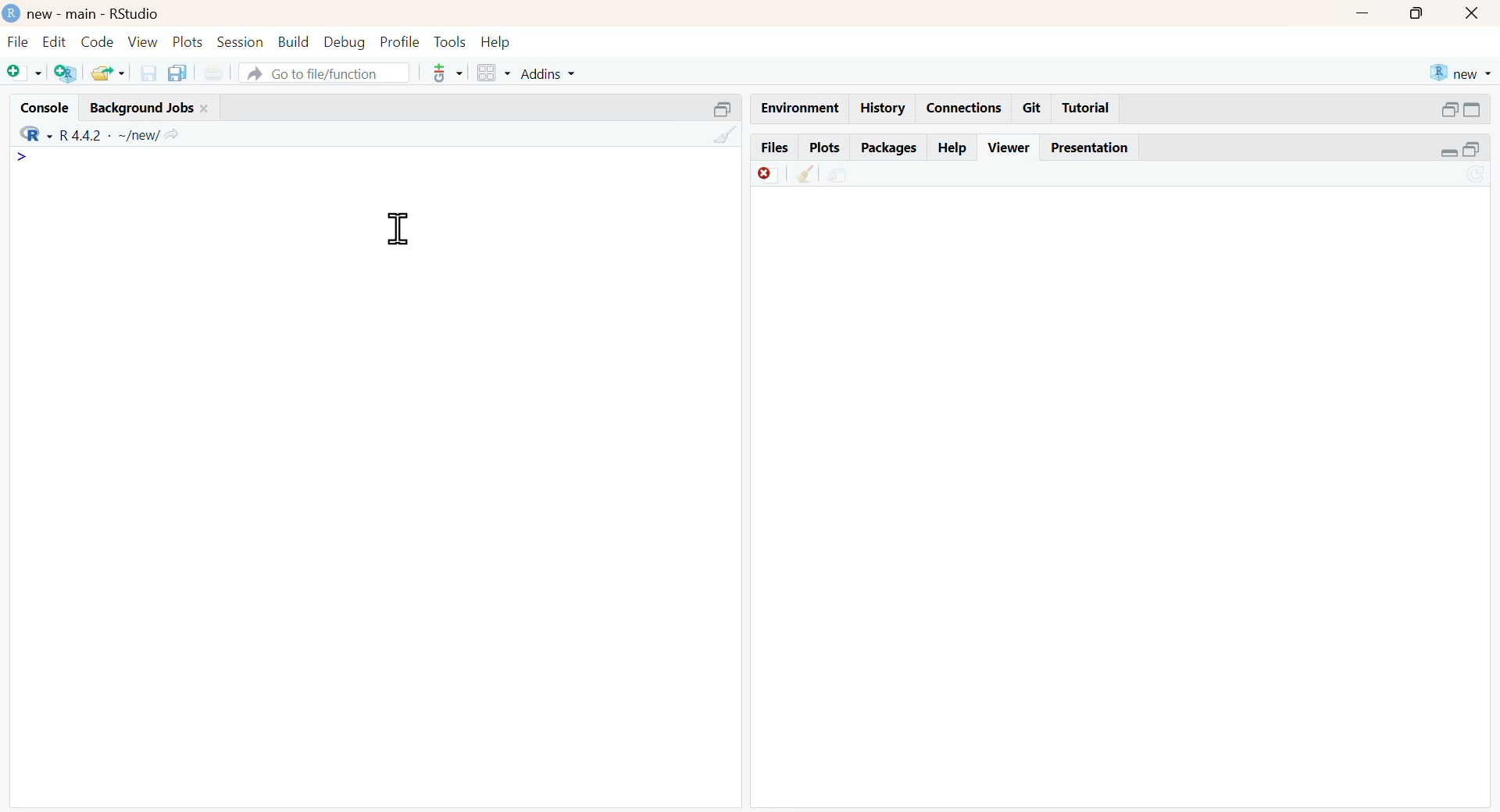 This screenshot has height=812, width=1500. I want to click on Help, so click(953, 147).